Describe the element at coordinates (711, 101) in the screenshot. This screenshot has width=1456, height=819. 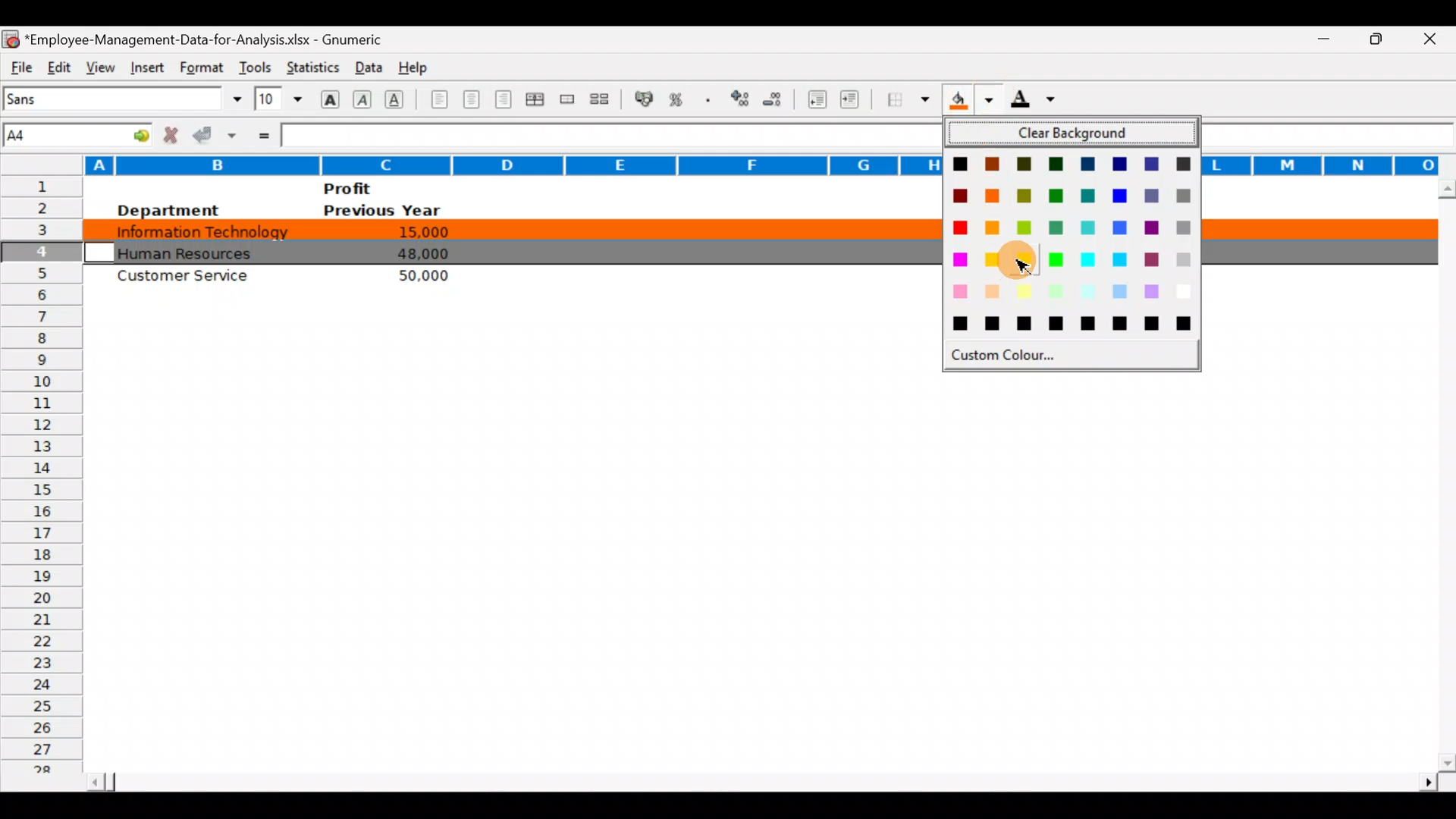
I see `Include a thousands operator` at that location.